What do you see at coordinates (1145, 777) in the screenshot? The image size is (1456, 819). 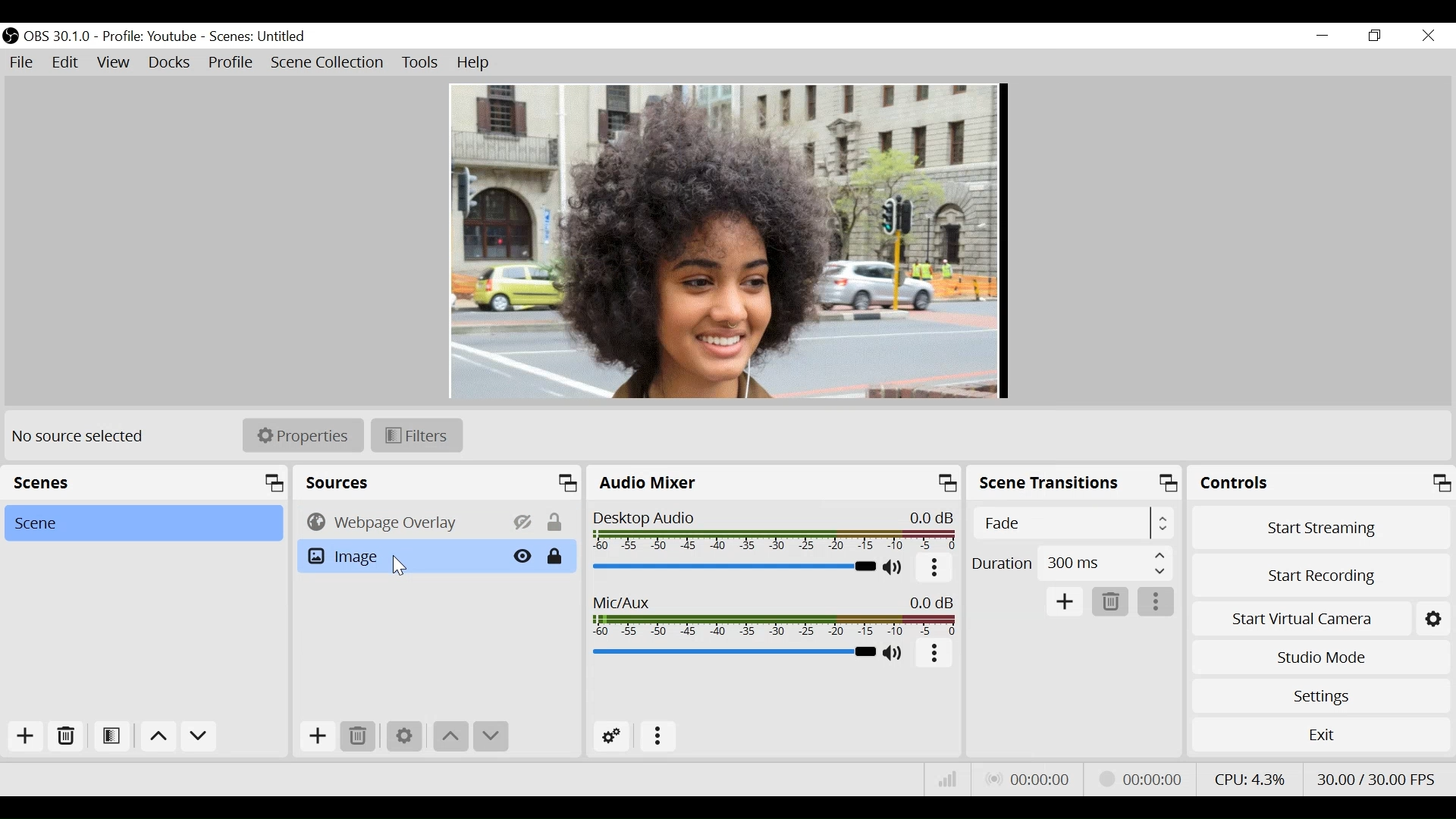 I see `Recording Status` at bounding box center [1145, 777].